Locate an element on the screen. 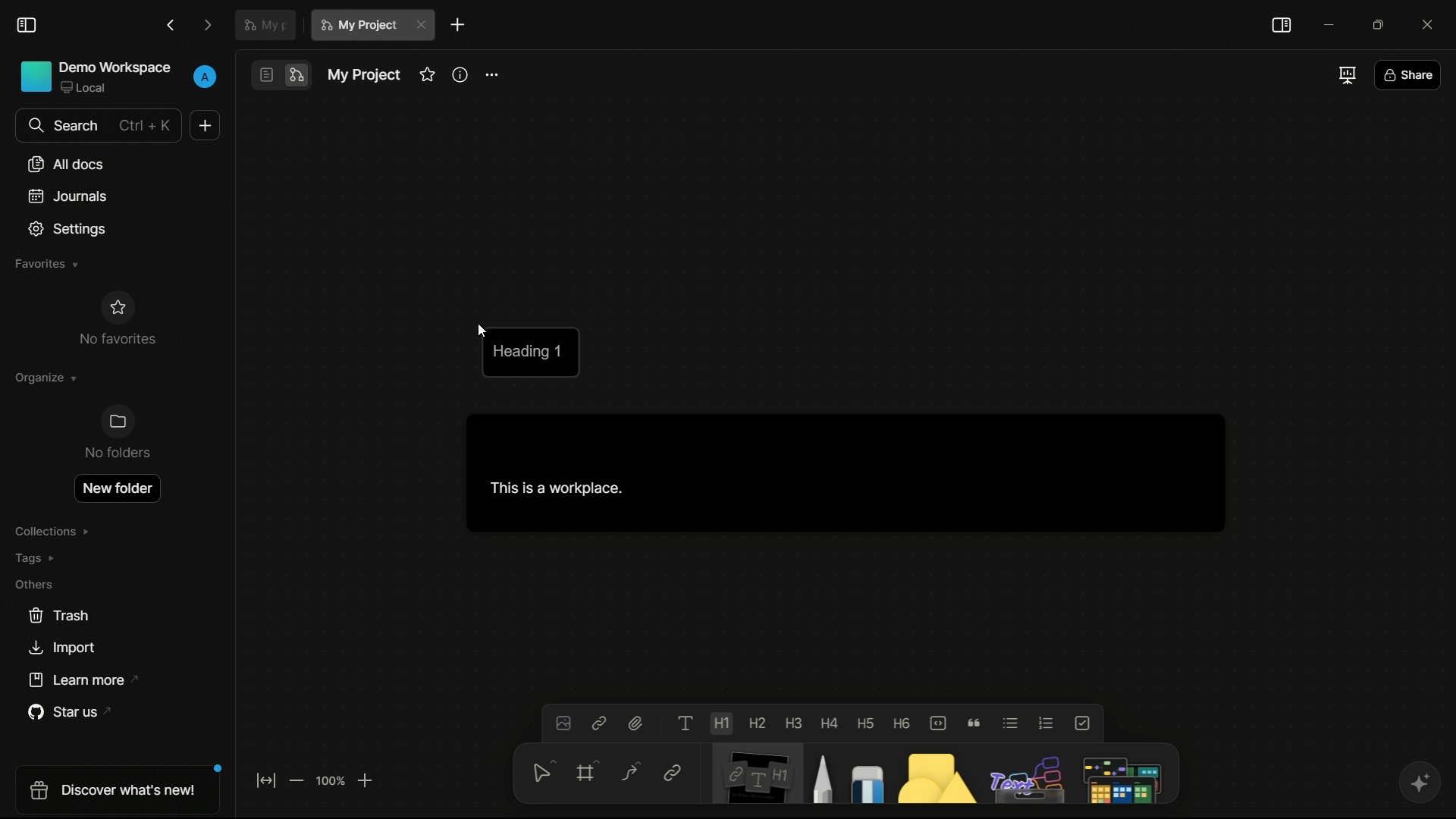  ai assistant is located at coordinates (1417, 783).